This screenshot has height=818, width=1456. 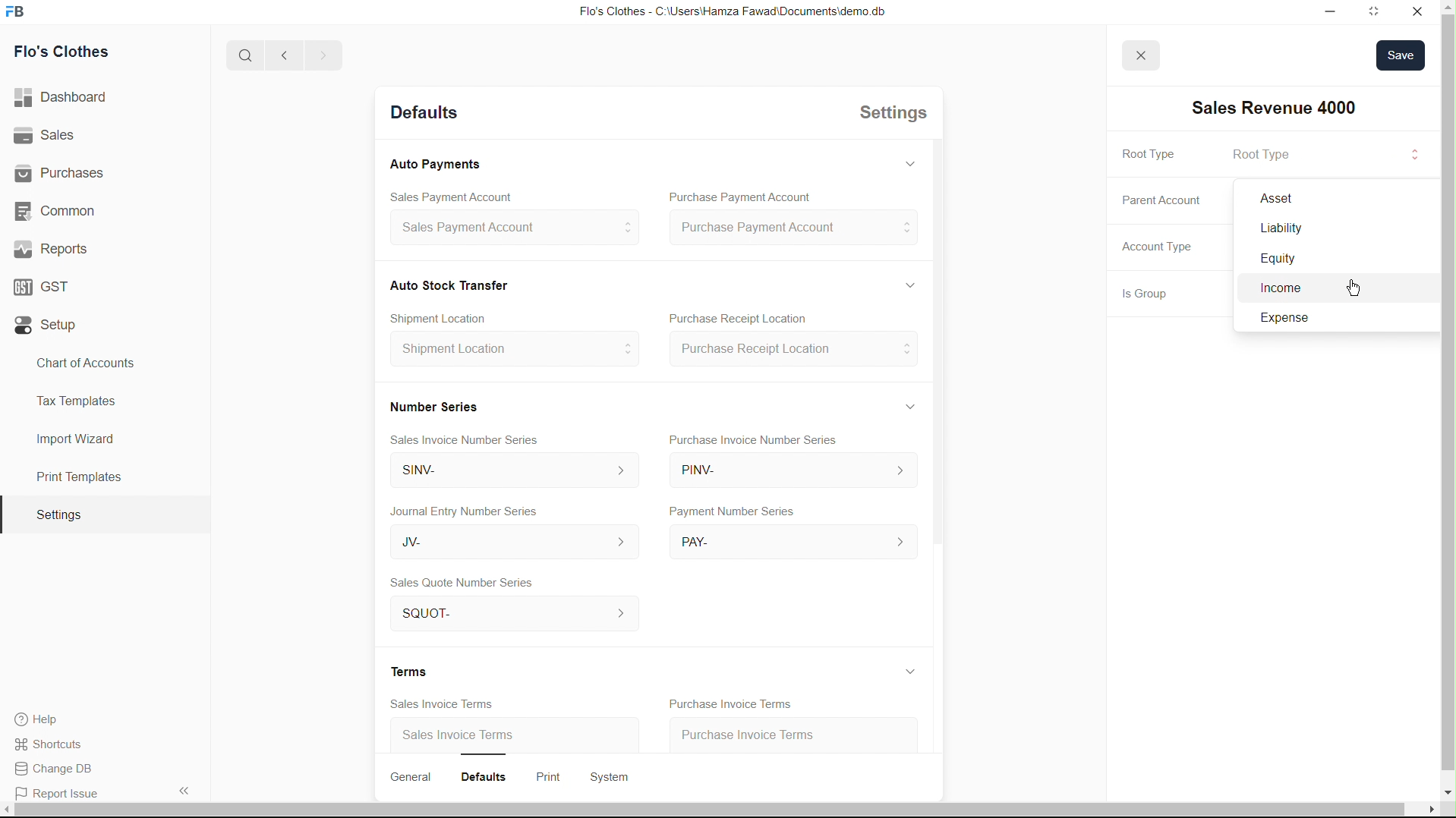 What do you see at coordinates (1285, 260) in the screenshot?
I see `Cash` at bounding box center [1285, 260].